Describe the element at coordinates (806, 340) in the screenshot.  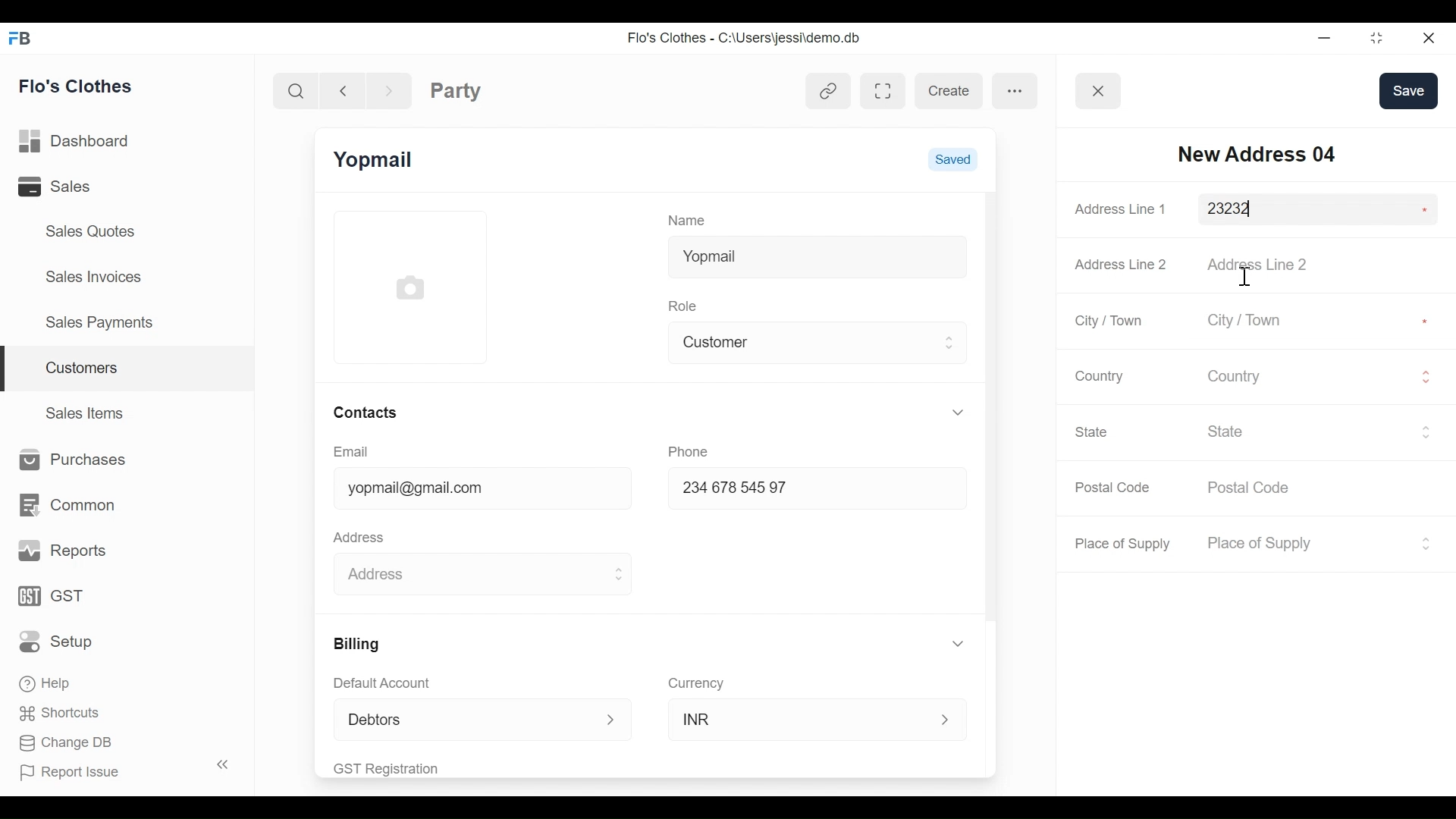
I see `Customer` at that location.